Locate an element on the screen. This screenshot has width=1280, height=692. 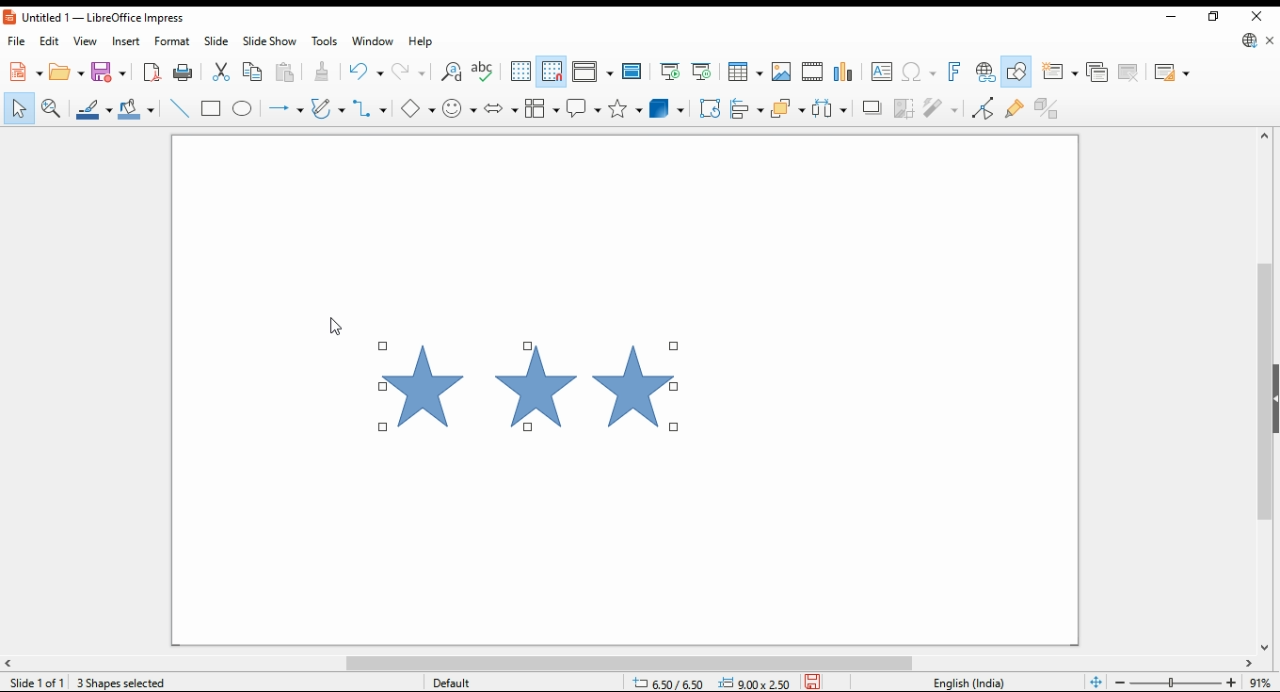
shadows is located at coordinates (872, 108).